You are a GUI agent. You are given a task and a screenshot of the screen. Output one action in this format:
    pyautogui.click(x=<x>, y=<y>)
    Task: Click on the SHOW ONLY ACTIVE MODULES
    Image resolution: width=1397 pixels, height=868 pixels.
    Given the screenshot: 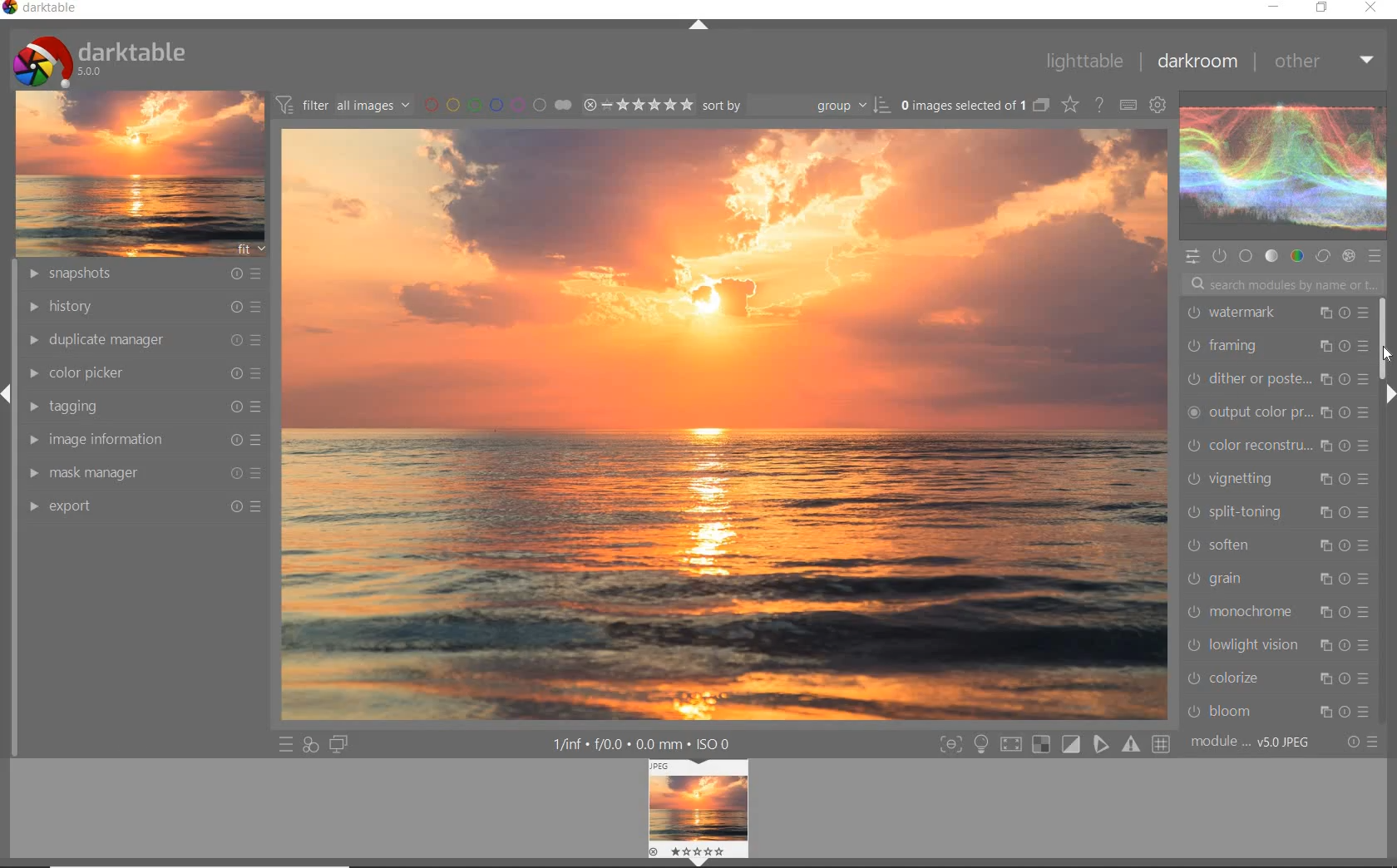 What is the action you would take?
    pyautogui.click(x=1219, y=255)
    